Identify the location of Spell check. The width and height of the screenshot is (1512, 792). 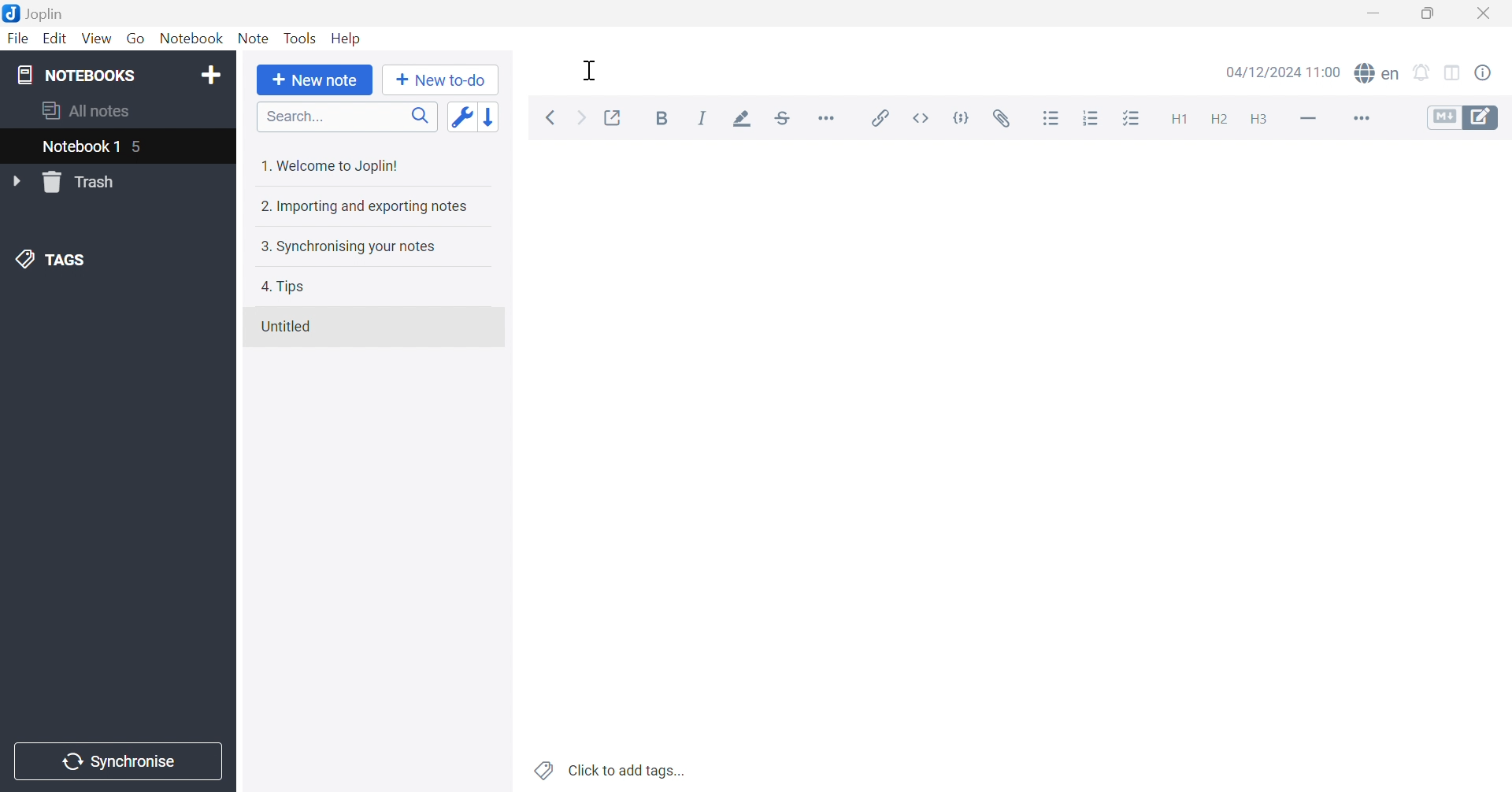
(1378, 75).